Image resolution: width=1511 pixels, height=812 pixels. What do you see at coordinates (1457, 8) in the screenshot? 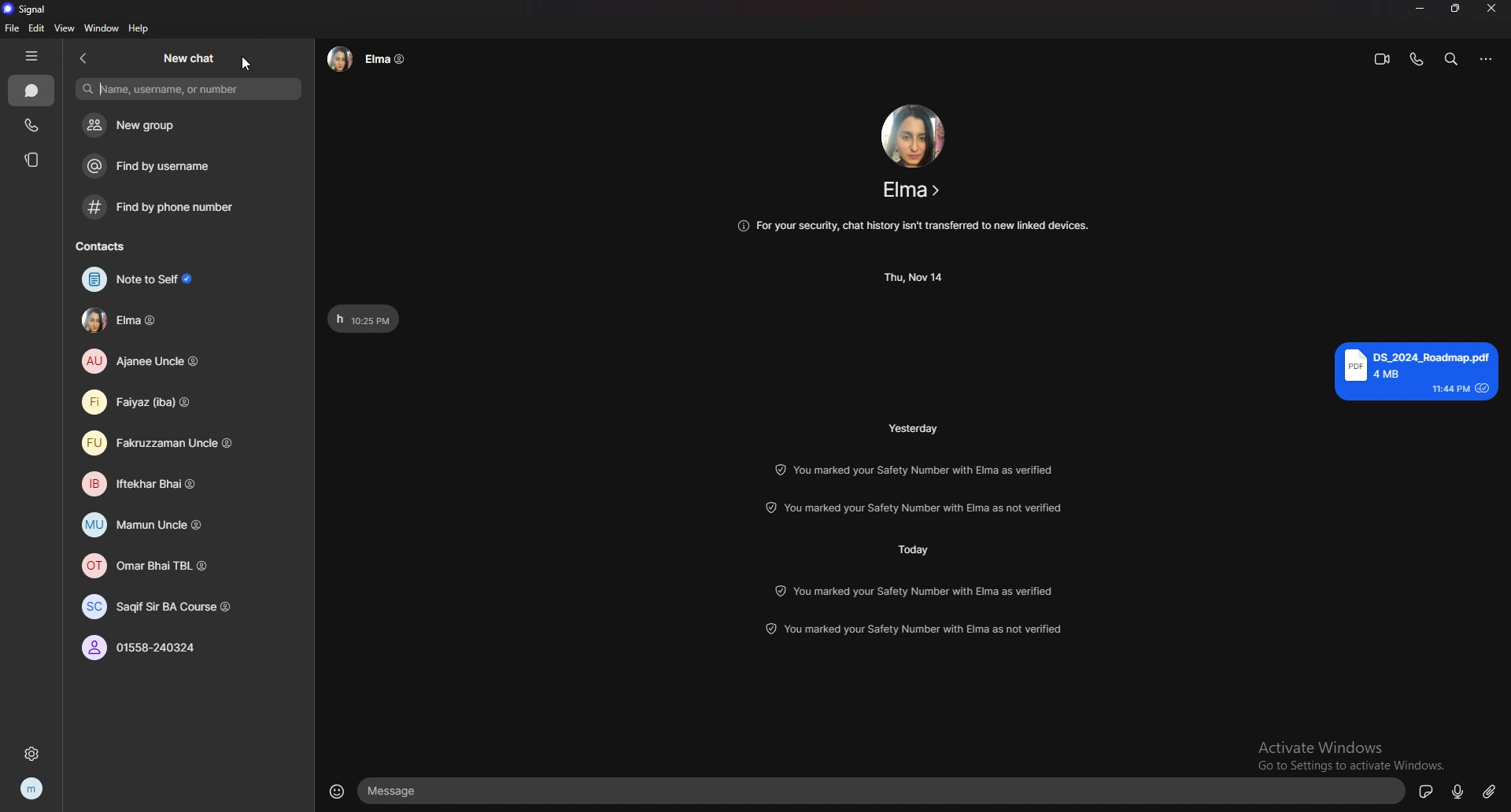
I see `resize` at bounding box center [1457, 8].